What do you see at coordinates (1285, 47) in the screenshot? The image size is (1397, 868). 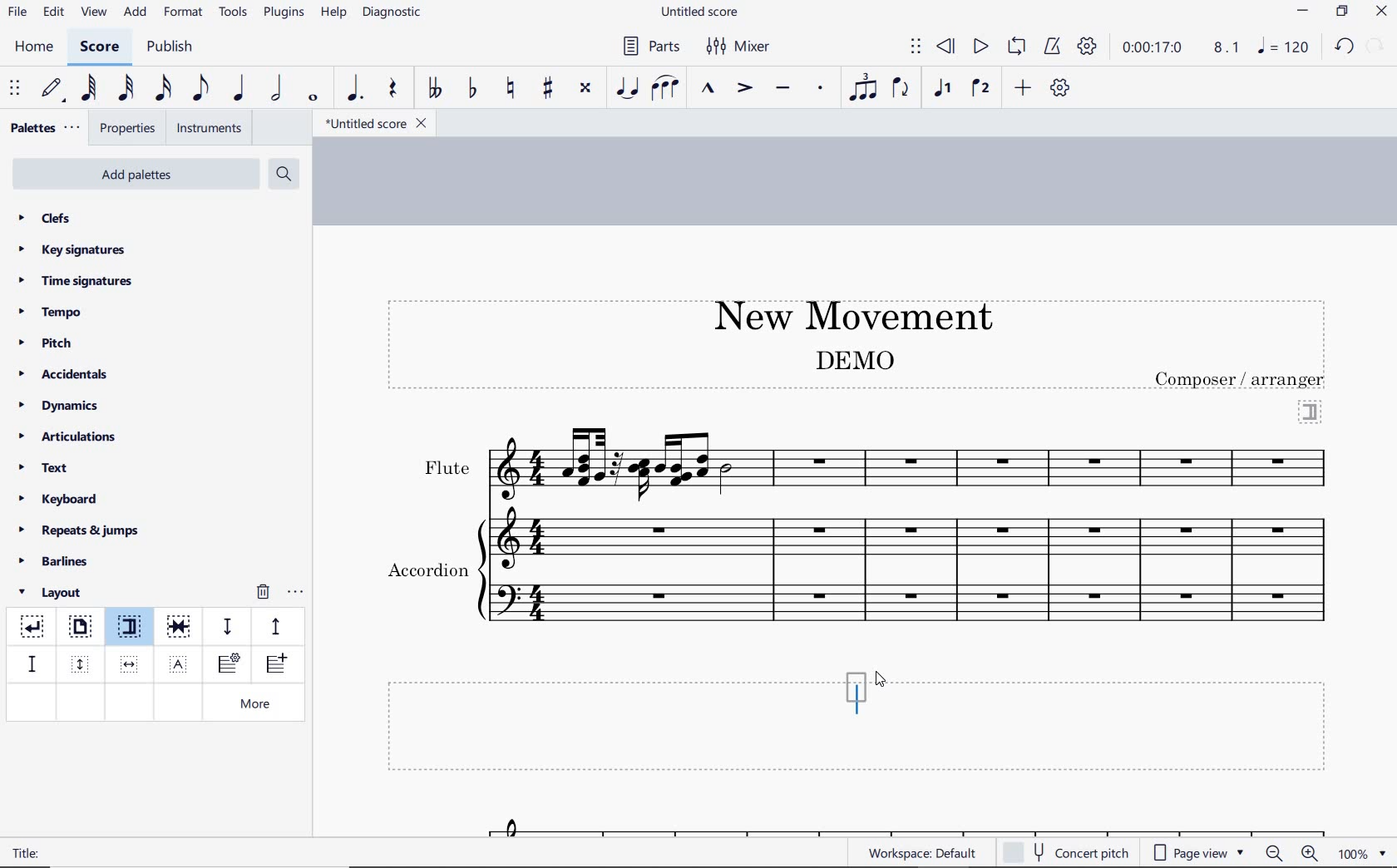 I see `NOTE` at bounding box center [1285, 47].